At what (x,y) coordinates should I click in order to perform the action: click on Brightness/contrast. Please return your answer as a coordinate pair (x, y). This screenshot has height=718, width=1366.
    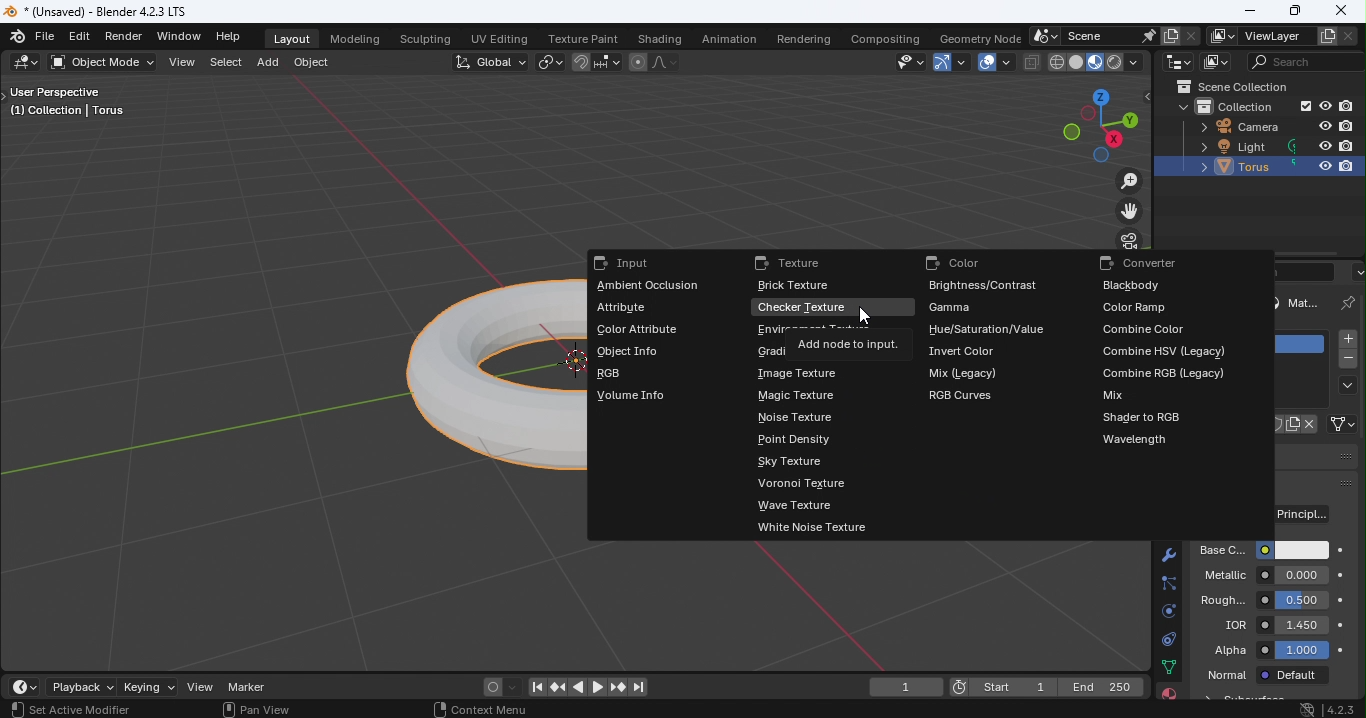
    Looking at the image, I should click on (976, 288).